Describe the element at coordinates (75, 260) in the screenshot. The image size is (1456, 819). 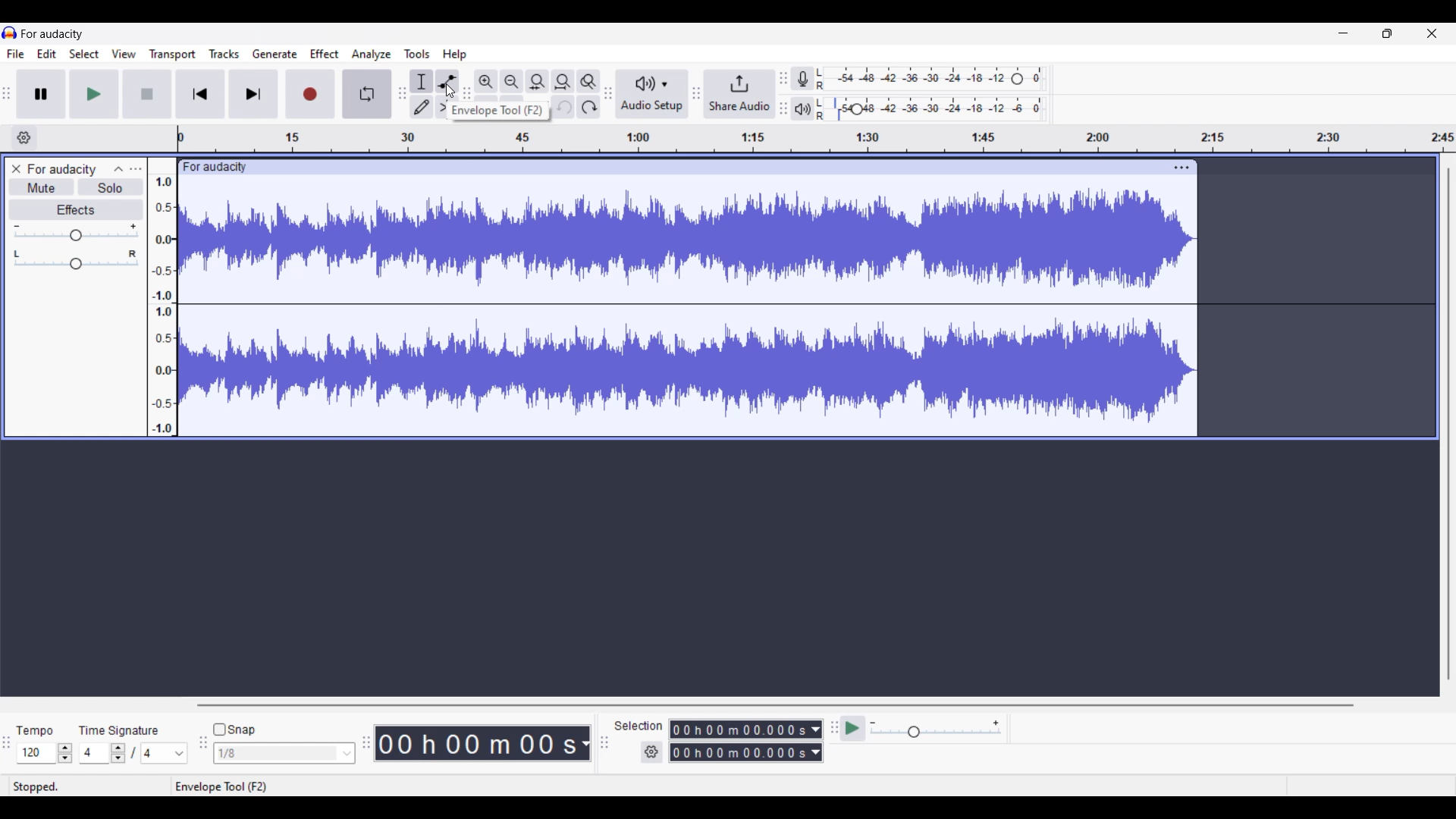
I see `Pan slider` at that location.